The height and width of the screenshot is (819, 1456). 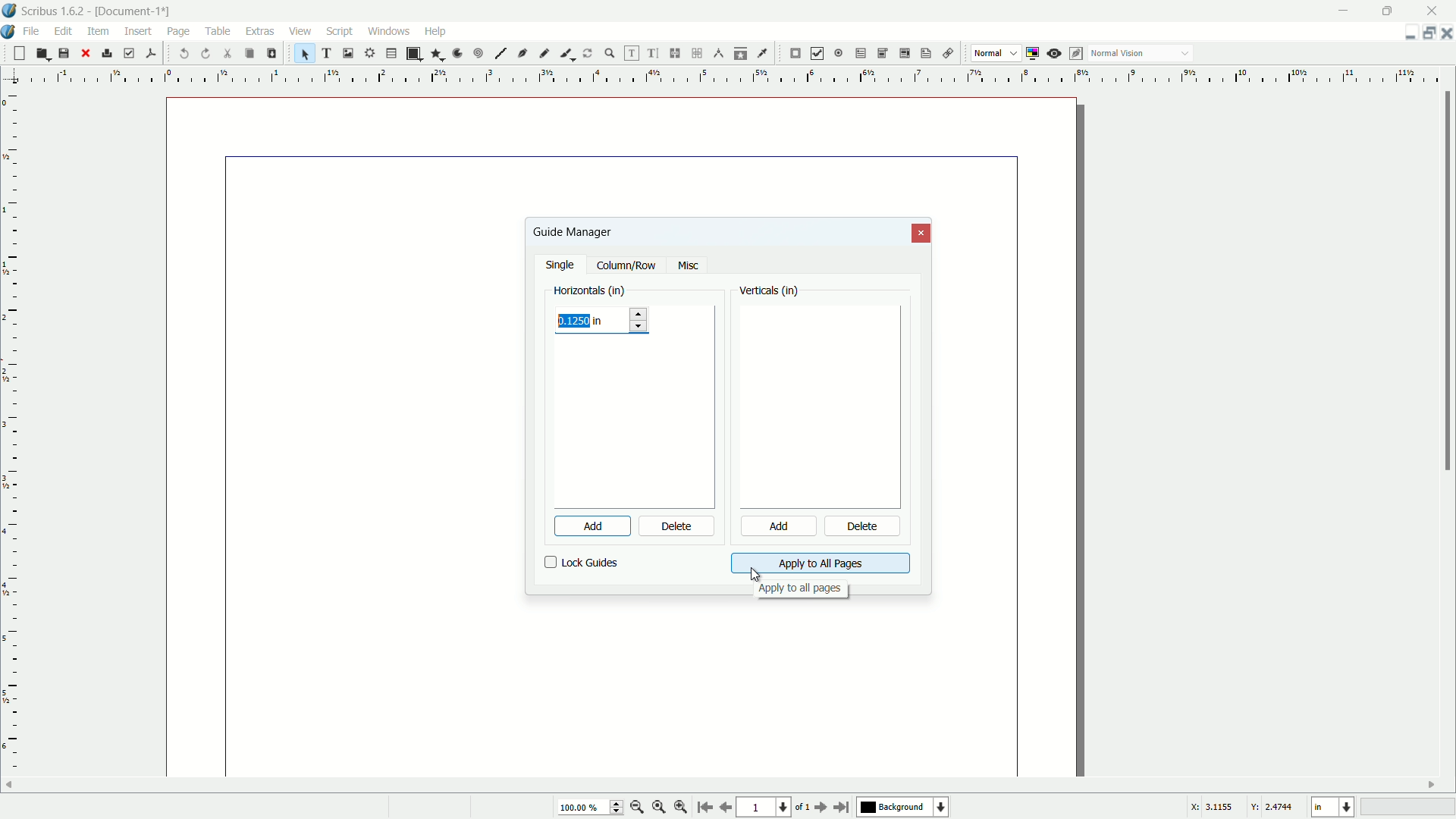 I want to click on save as pdf, so click(x=151, y=52).